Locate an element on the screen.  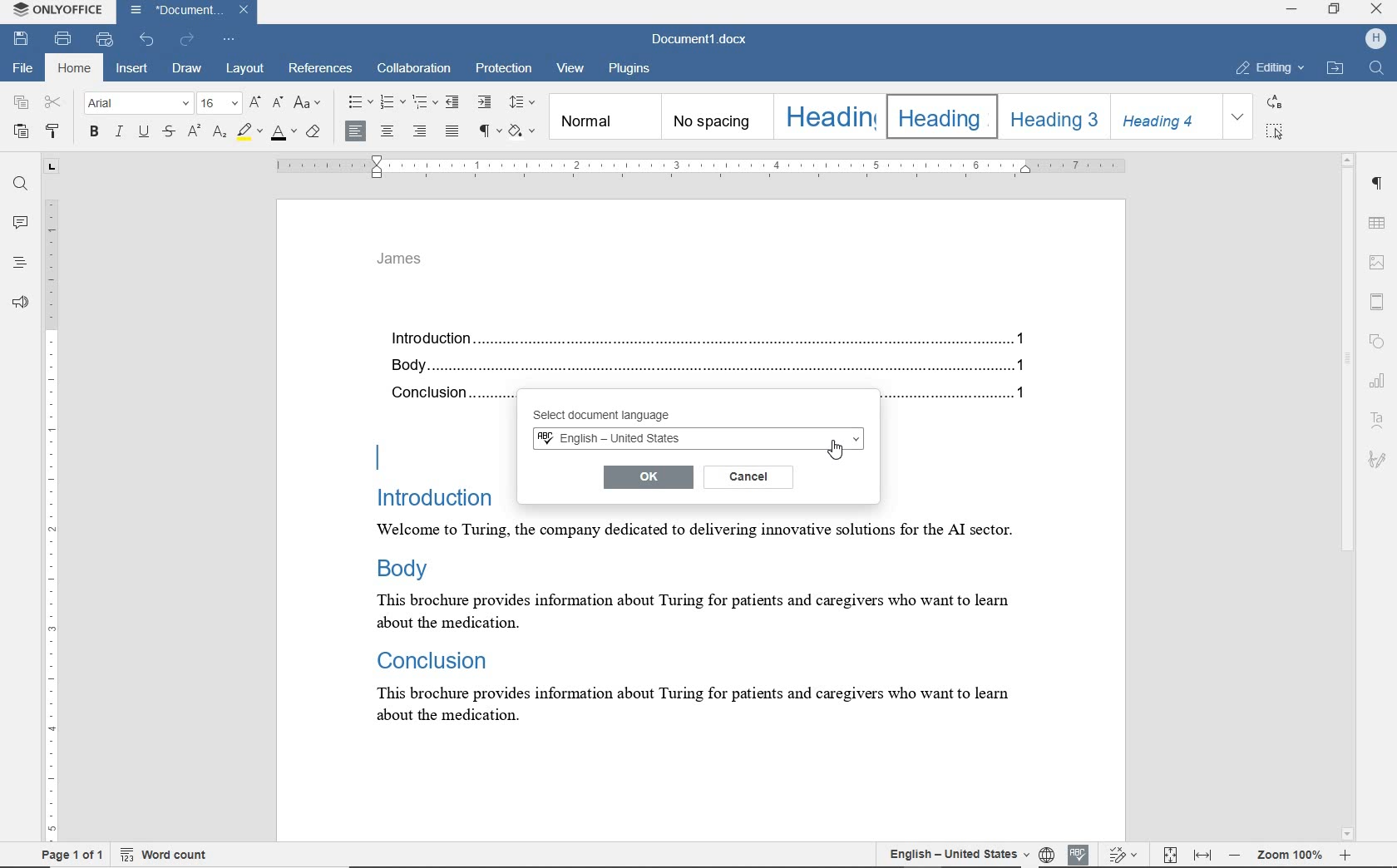
EXPAND is located at coordinates (1239, 117).